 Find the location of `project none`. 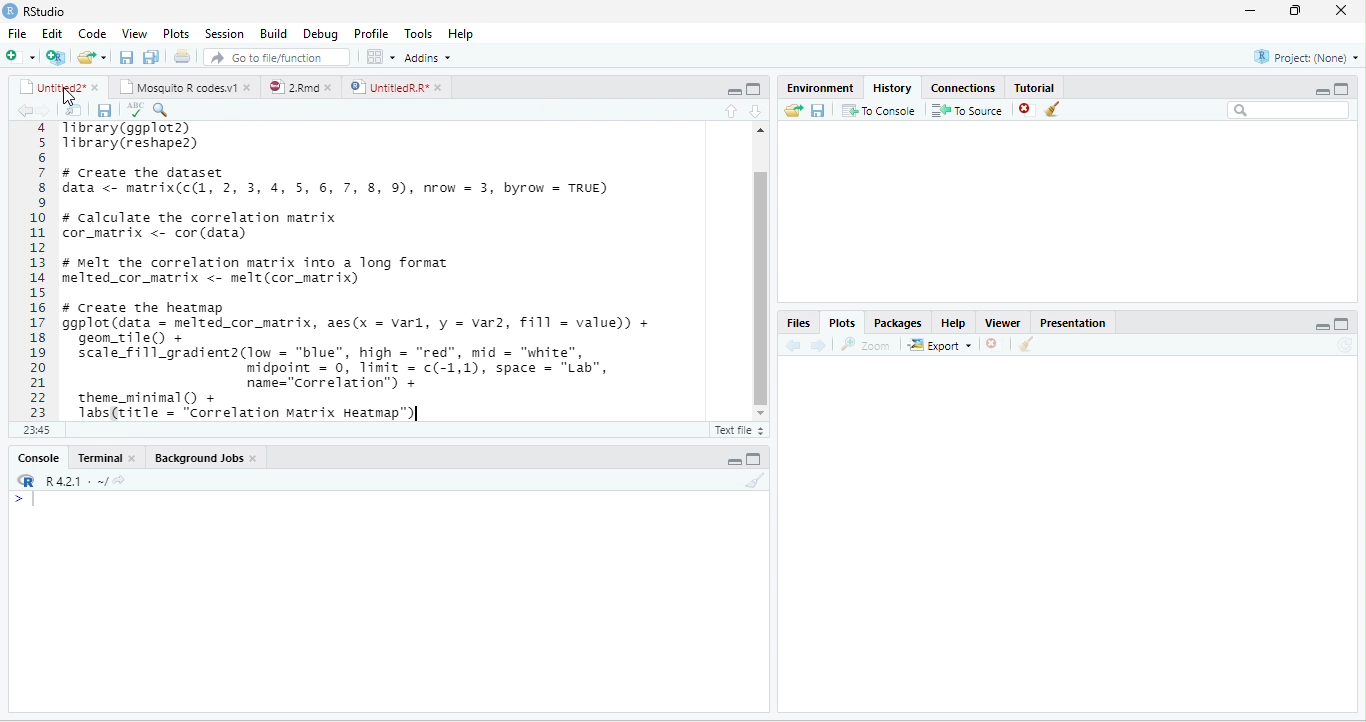

project none is located at coordinates (1295, 58).